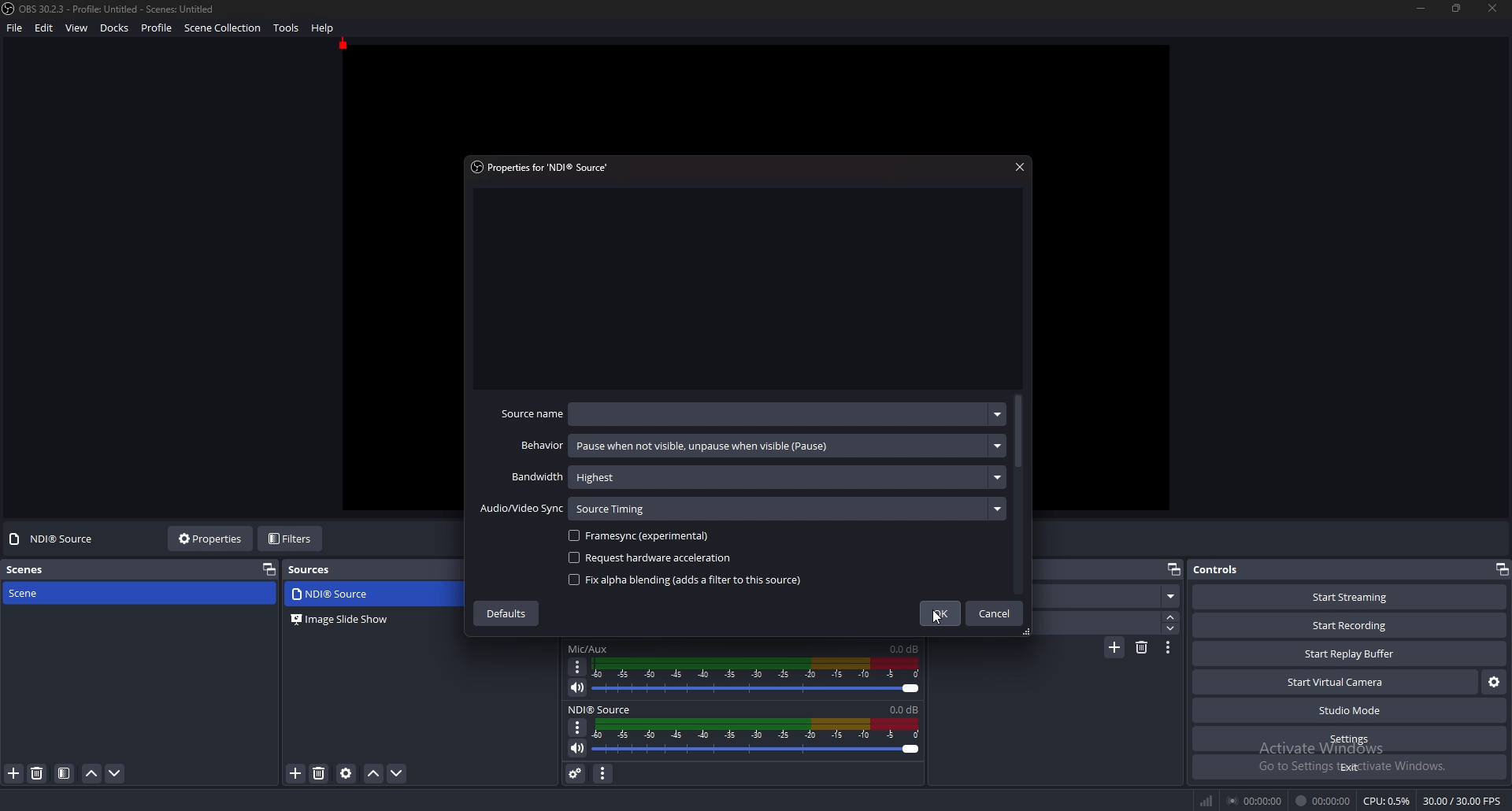 Image resolution: width=1512 pixels, height=811 pixels. Describe the element at coordinates (589, 649) in the screenshot. I see `mic/aux` at that location.